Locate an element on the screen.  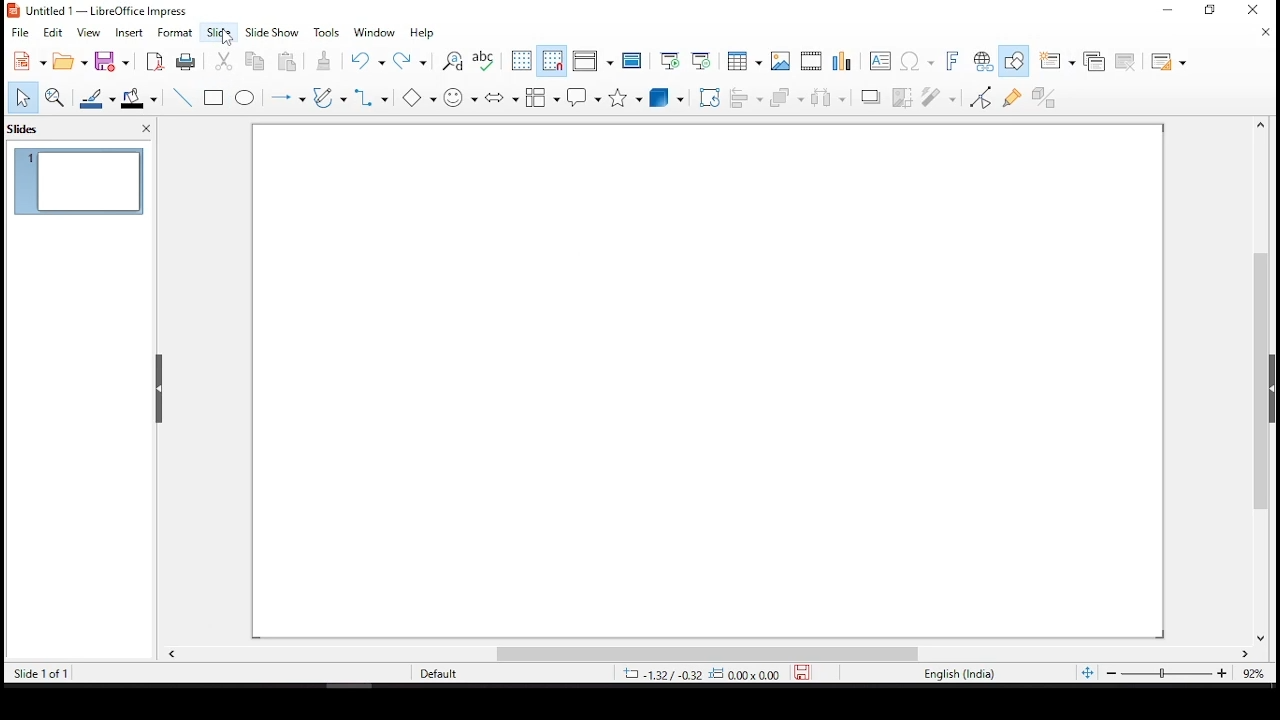
close pane is located at coordinates (158, 390).